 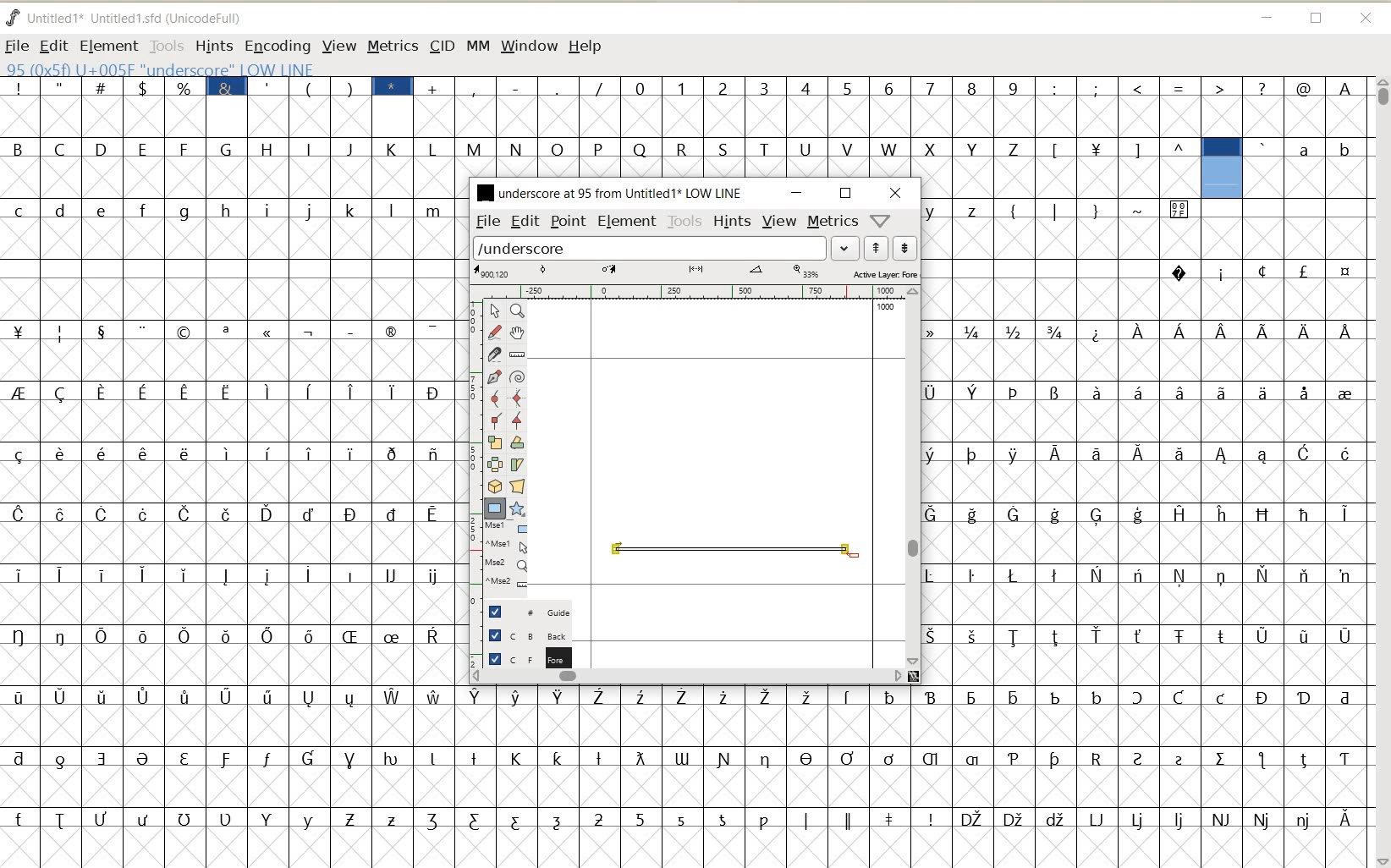 I want to click on GLYPHY CHARACTERS, so click(x=1059, y=491).